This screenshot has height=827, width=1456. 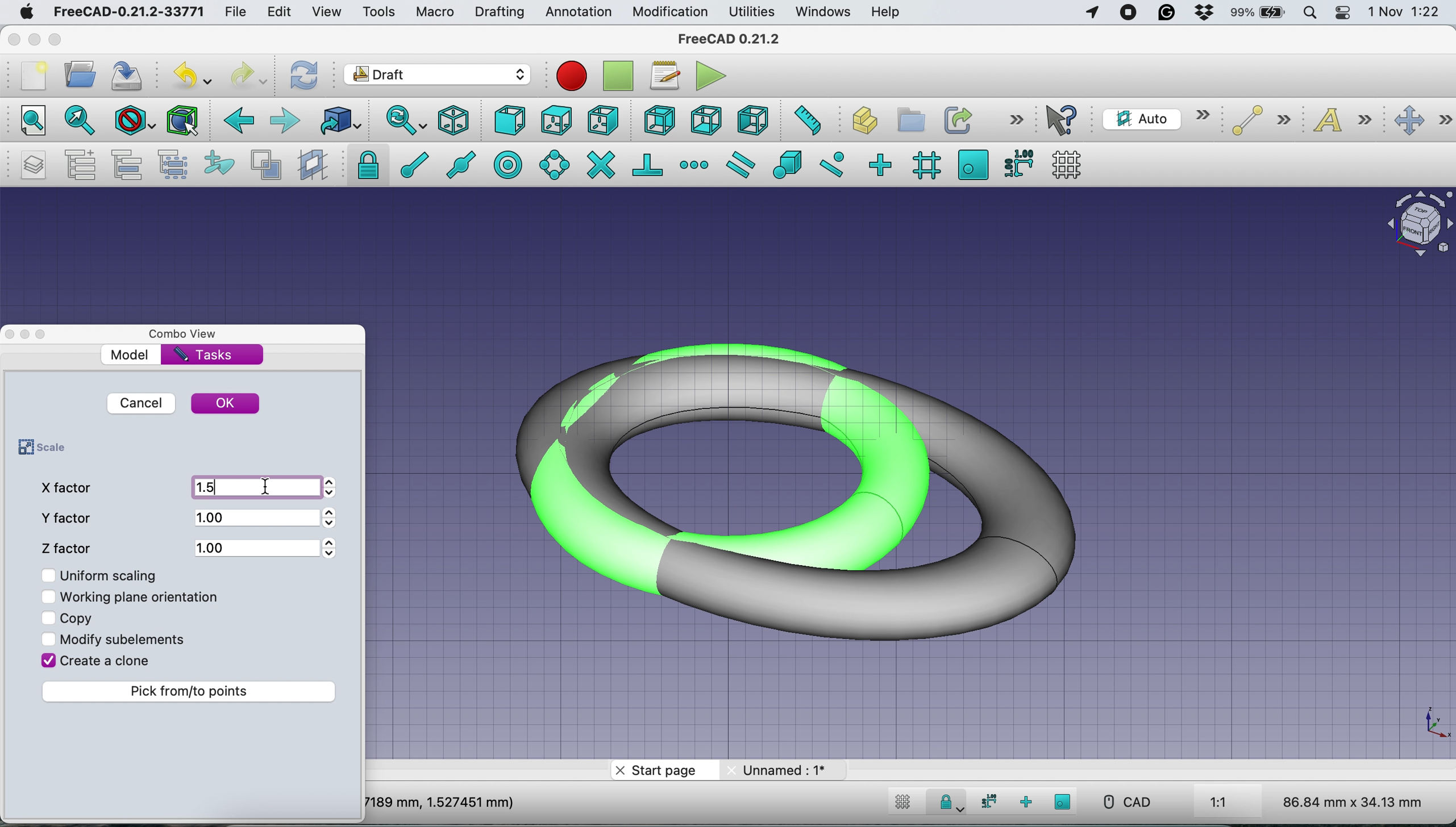 What do you see at coordinates (326, 13) in the screenshot?
I see `view` at bounding box center [326, 13].